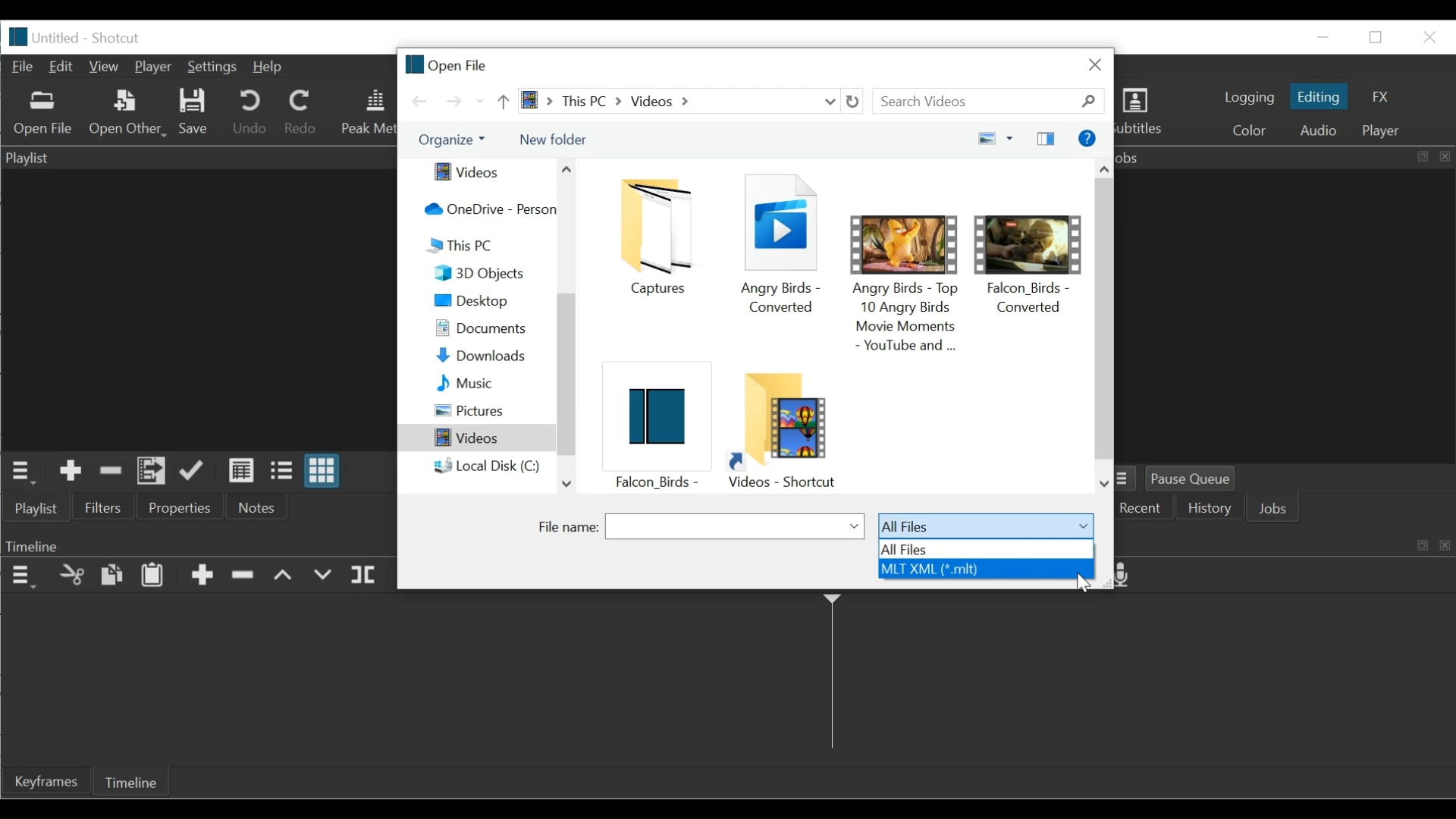 Image resolution: width=1456 pixels, height=819 pixels. I want to click on Undo, so click(249, 112).